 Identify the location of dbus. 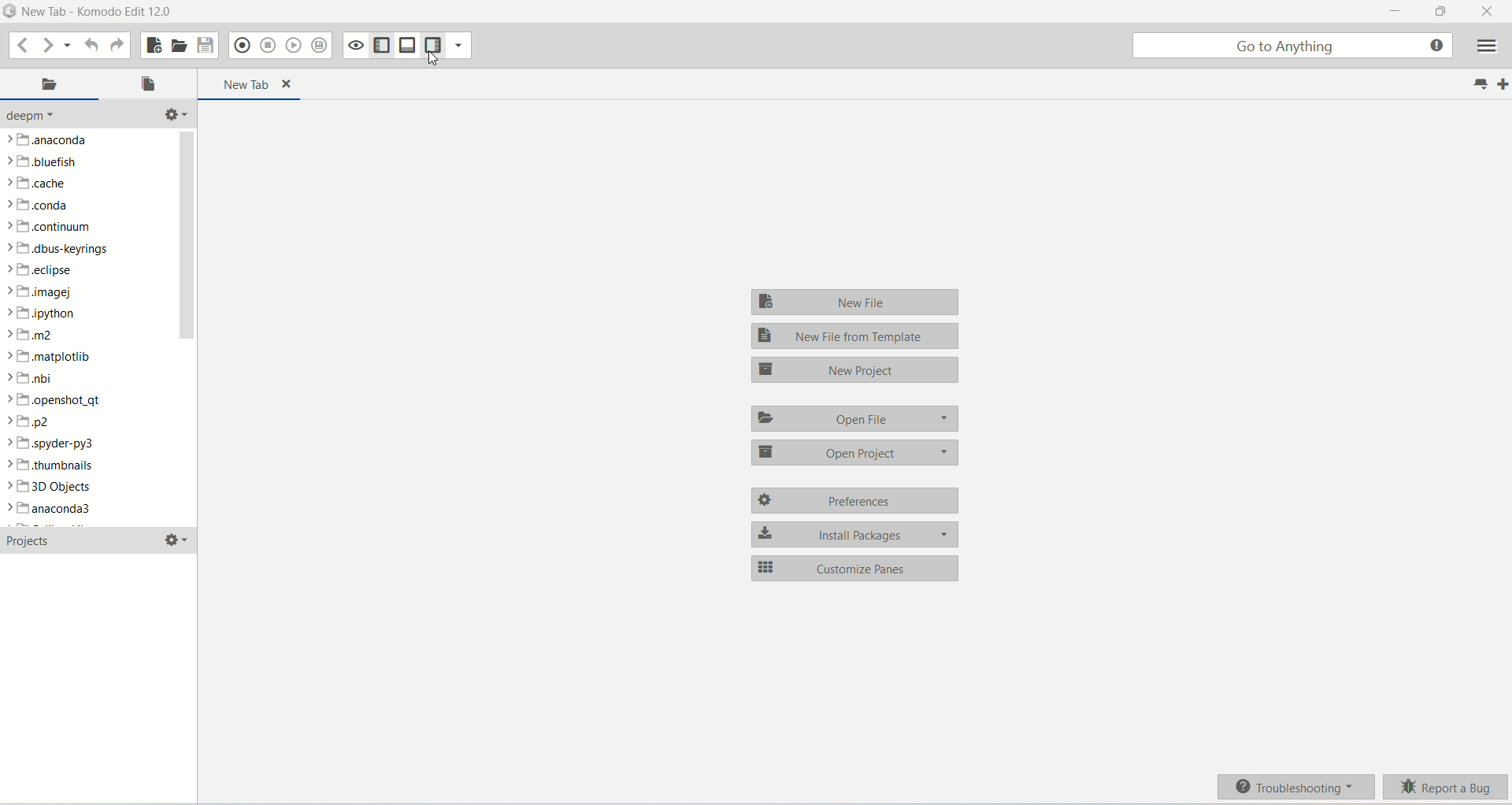
(64, 249).